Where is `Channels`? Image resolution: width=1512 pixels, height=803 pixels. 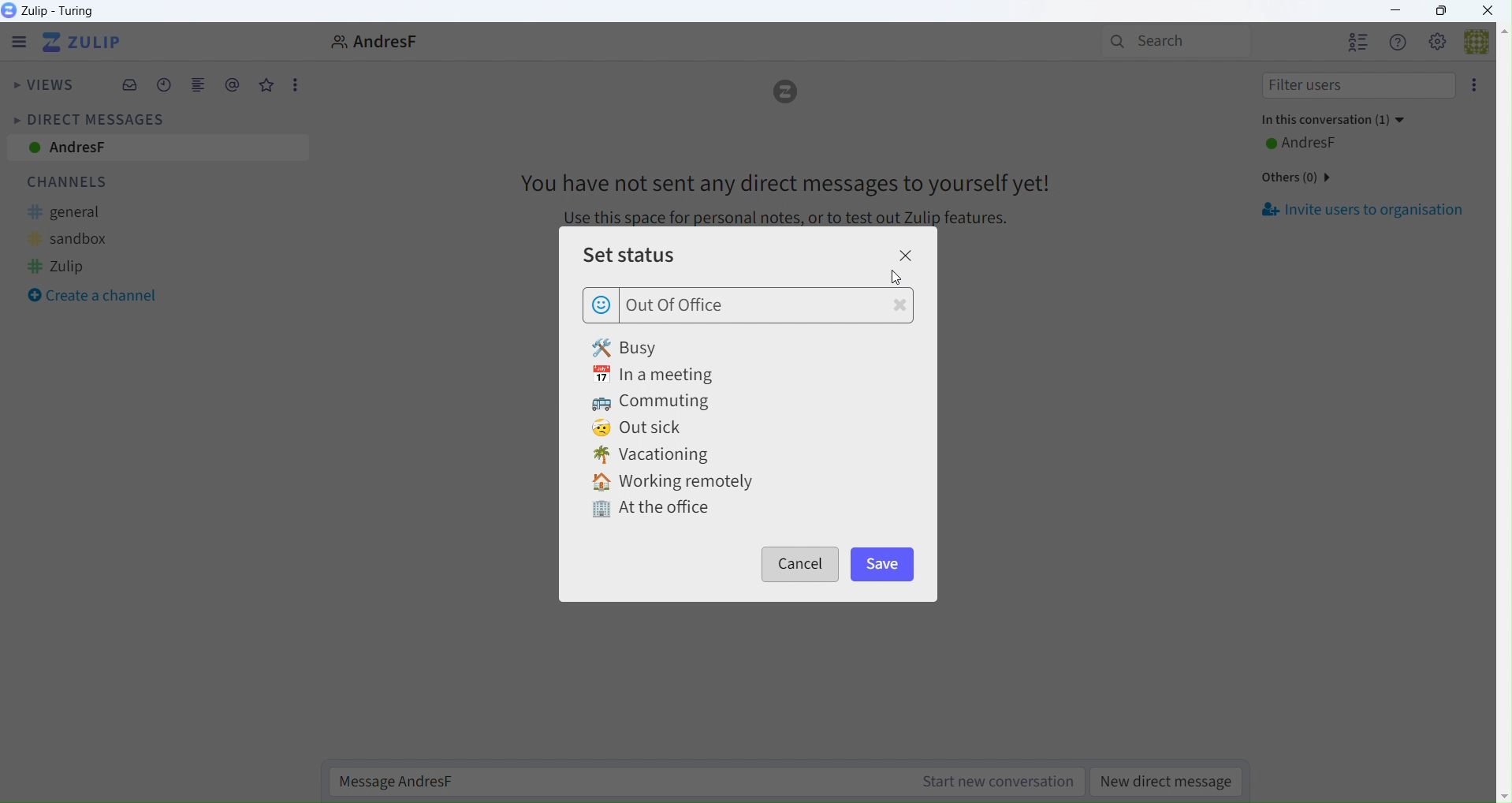 Channels is located at coordinates (79, 182).